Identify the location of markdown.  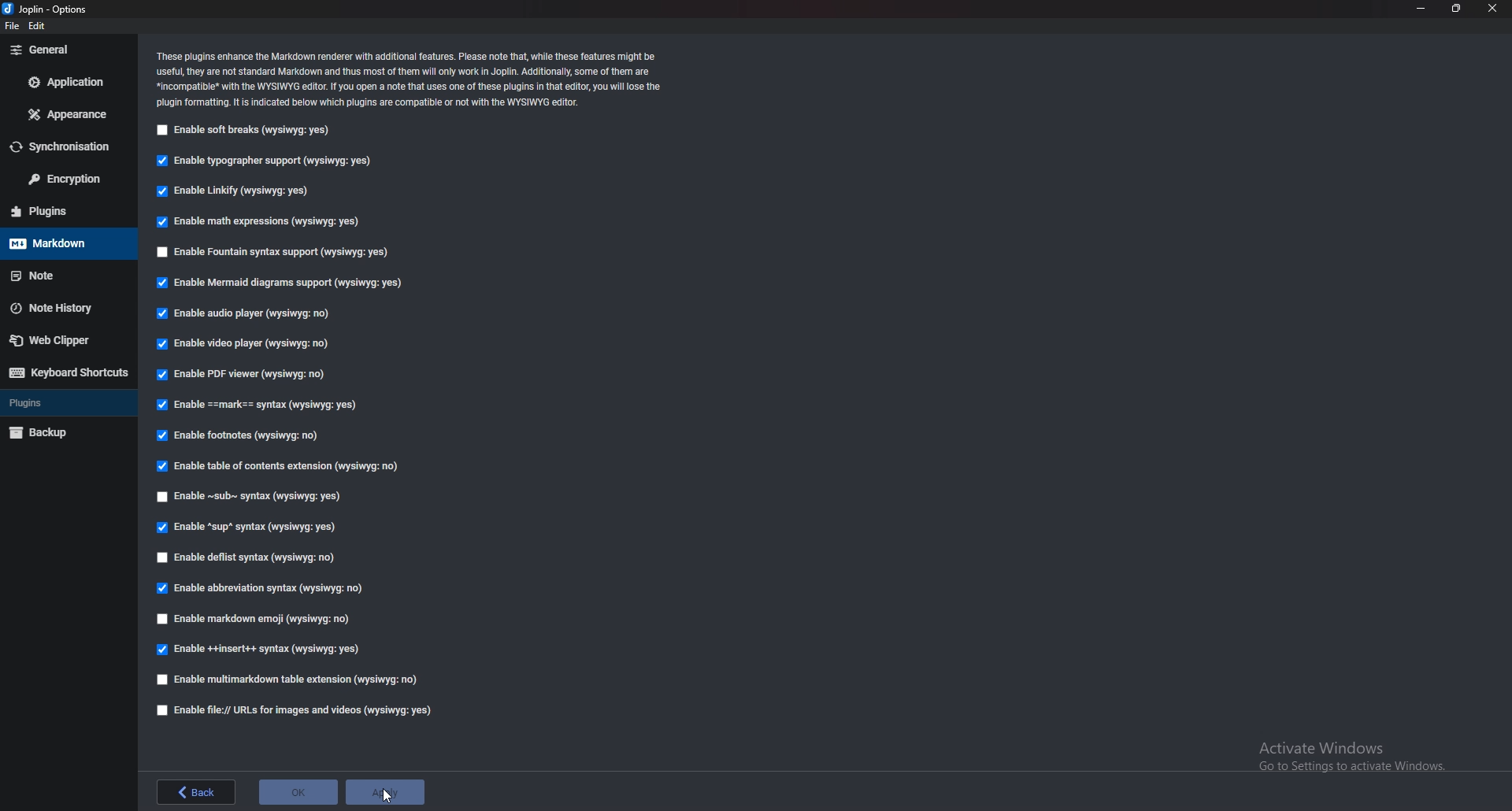
(61, 243).